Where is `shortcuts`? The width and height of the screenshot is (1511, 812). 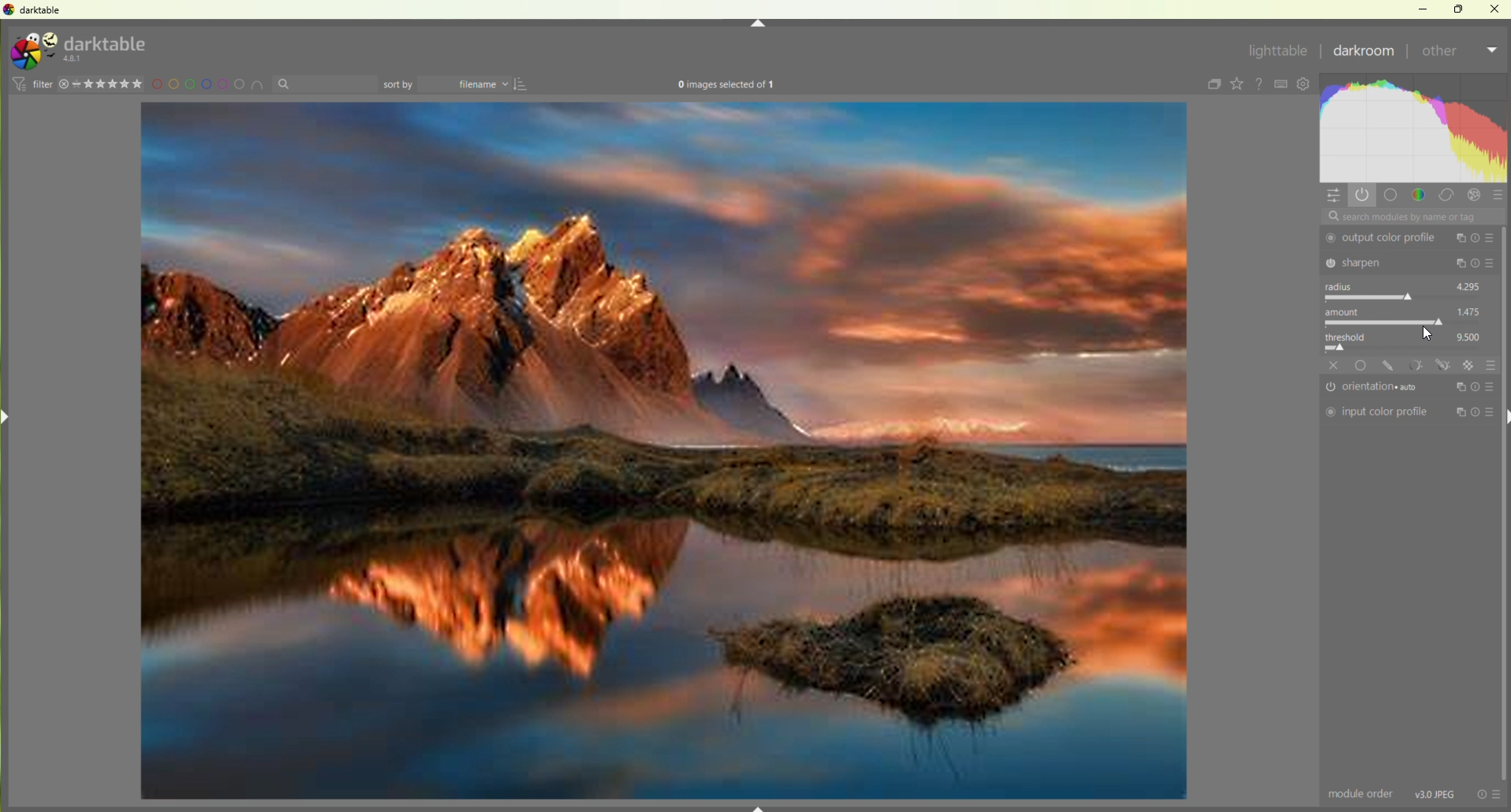 shortcuts is located at coordinates (1282, 84).